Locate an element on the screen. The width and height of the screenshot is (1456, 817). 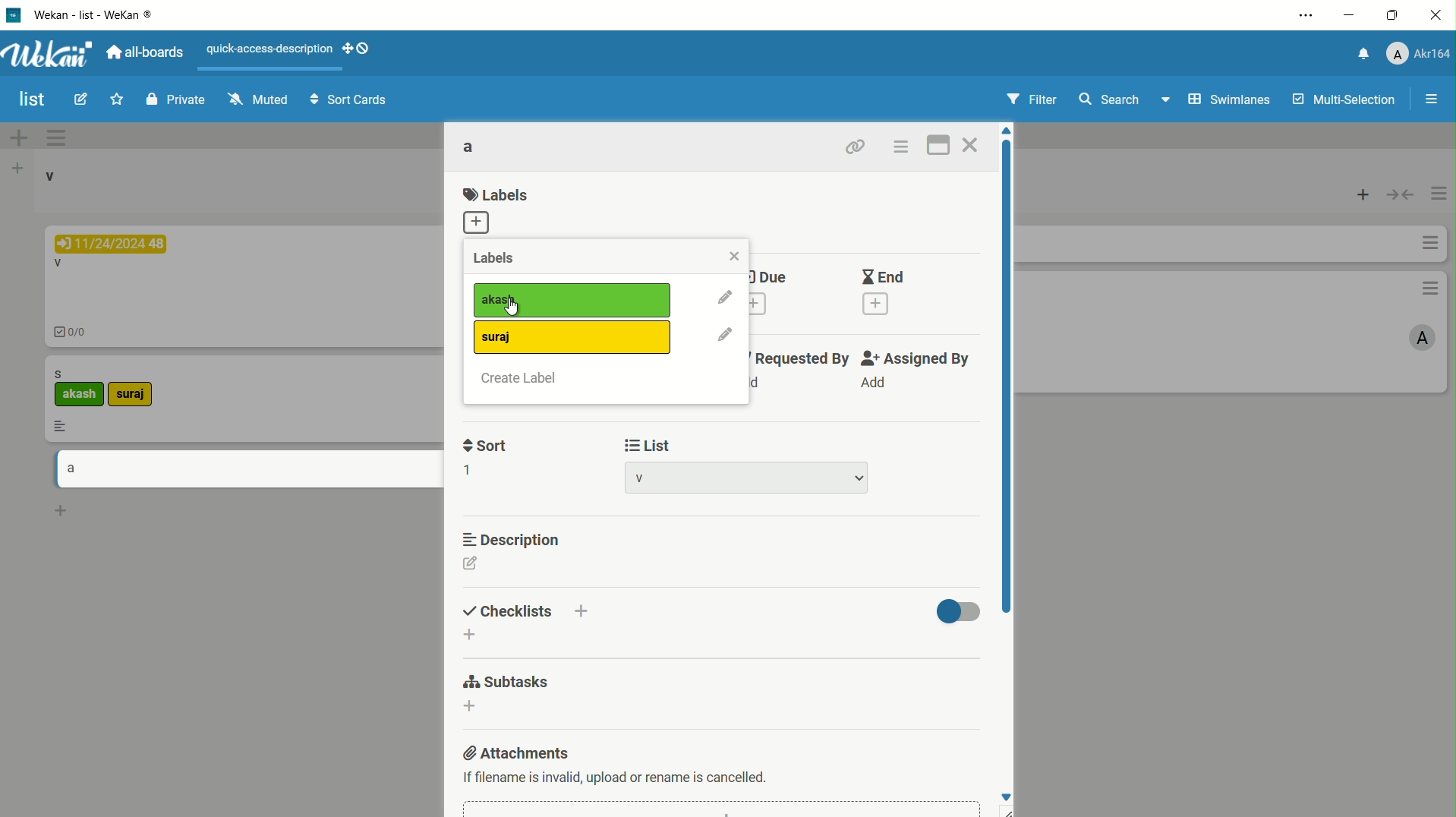
search is located at coordinates (1111, 99).